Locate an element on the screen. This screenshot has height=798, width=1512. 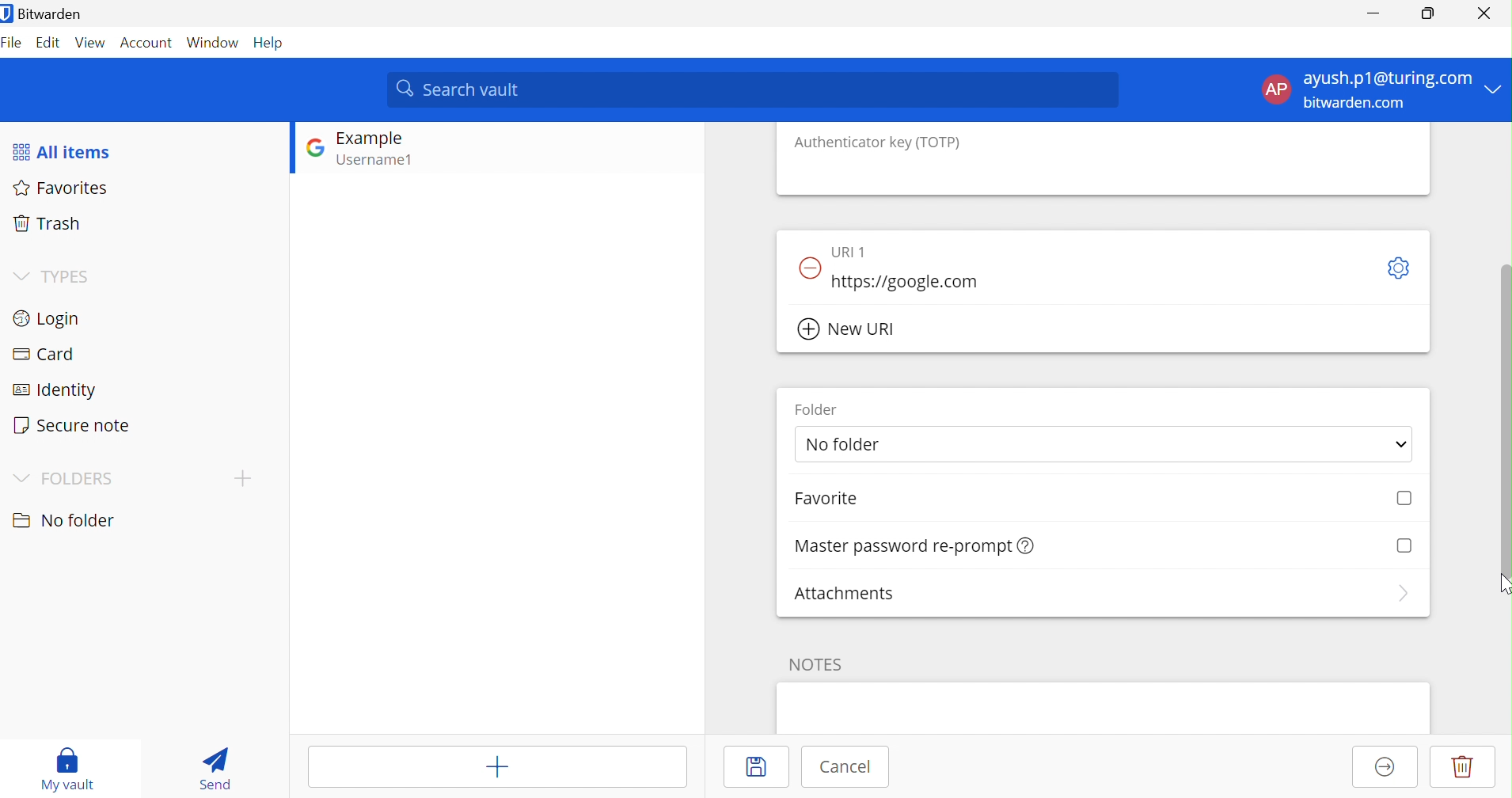
All items is located at coordinates (63, 150).